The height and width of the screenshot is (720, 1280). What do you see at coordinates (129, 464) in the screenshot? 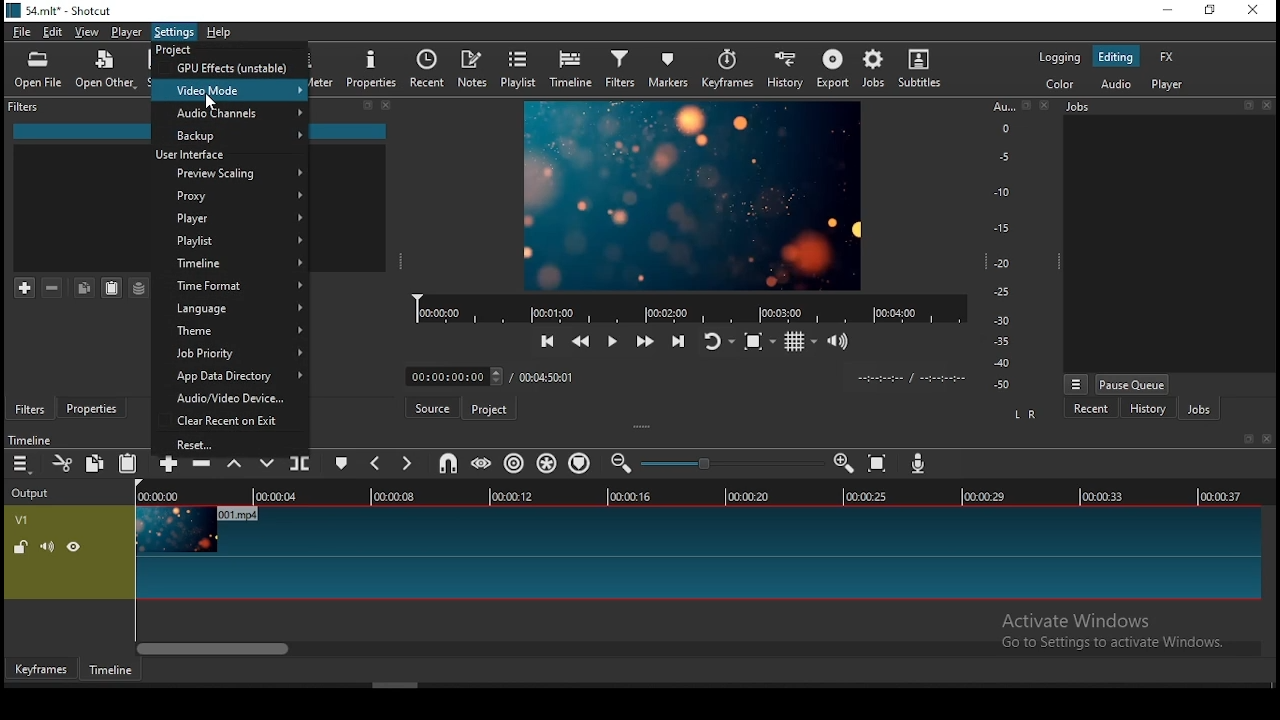
I see `paste` at bounding box center [129, 464].